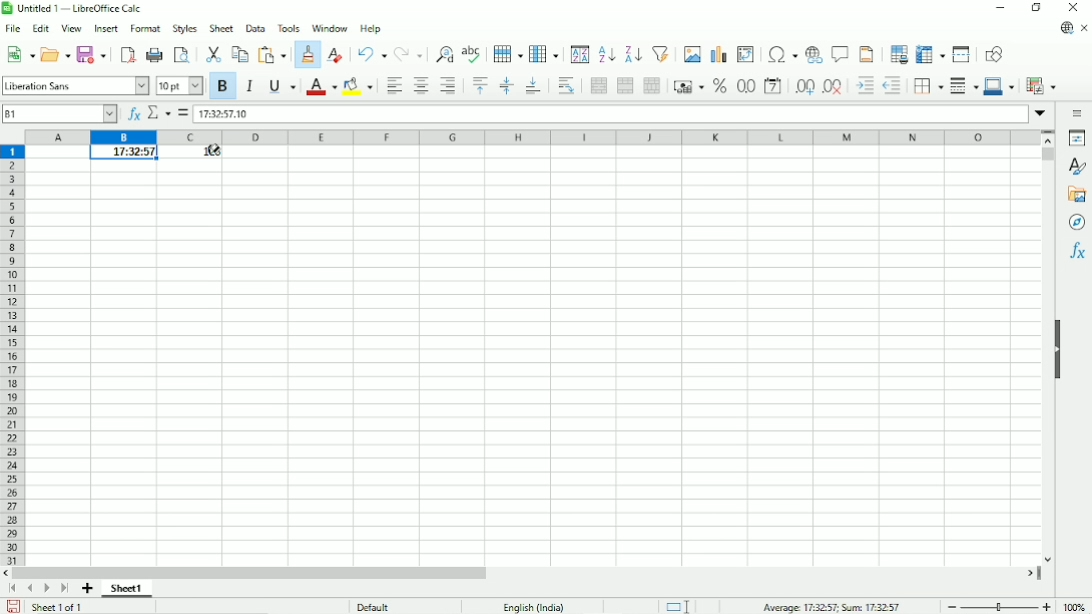 The width and height of the screenshot is (1092, 614). I want to click on Background color, so click(357, 86).